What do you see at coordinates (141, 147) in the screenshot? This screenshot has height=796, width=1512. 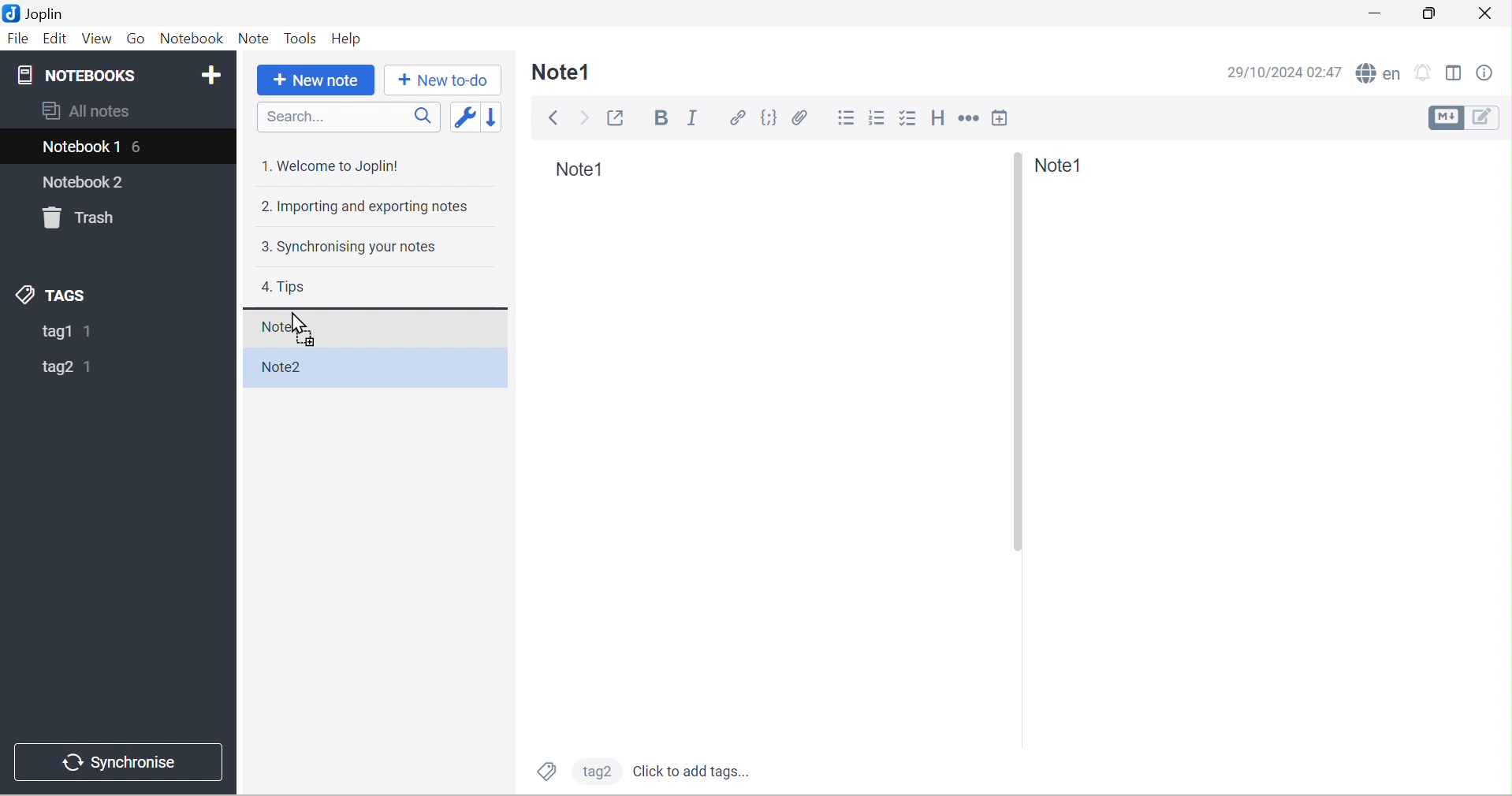 I see `6` at bounding box center [141, 147].